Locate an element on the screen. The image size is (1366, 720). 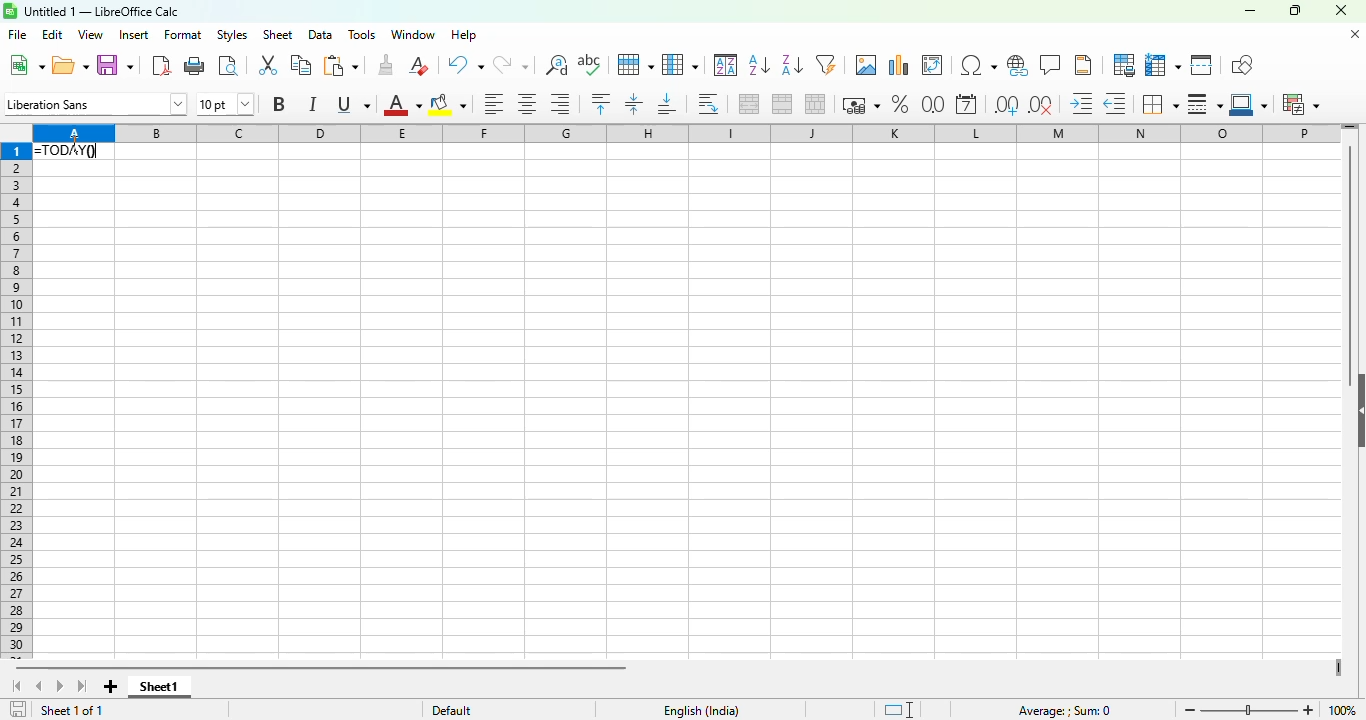
clone formatting is located at coordinates (386, 65).